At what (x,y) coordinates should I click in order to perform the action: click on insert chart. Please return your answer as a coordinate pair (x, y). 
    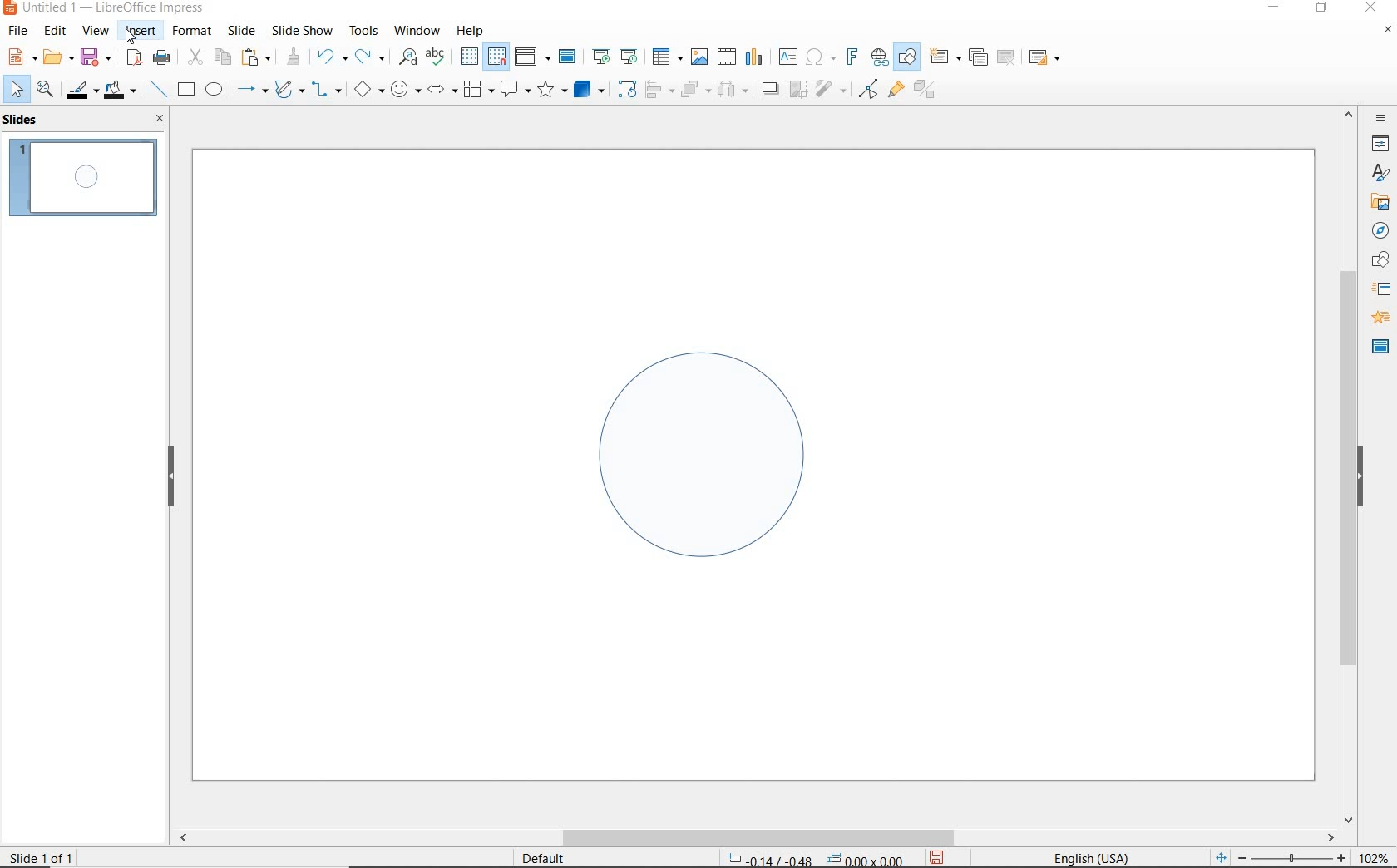
    Looking at the image, I should click on (754, 57).